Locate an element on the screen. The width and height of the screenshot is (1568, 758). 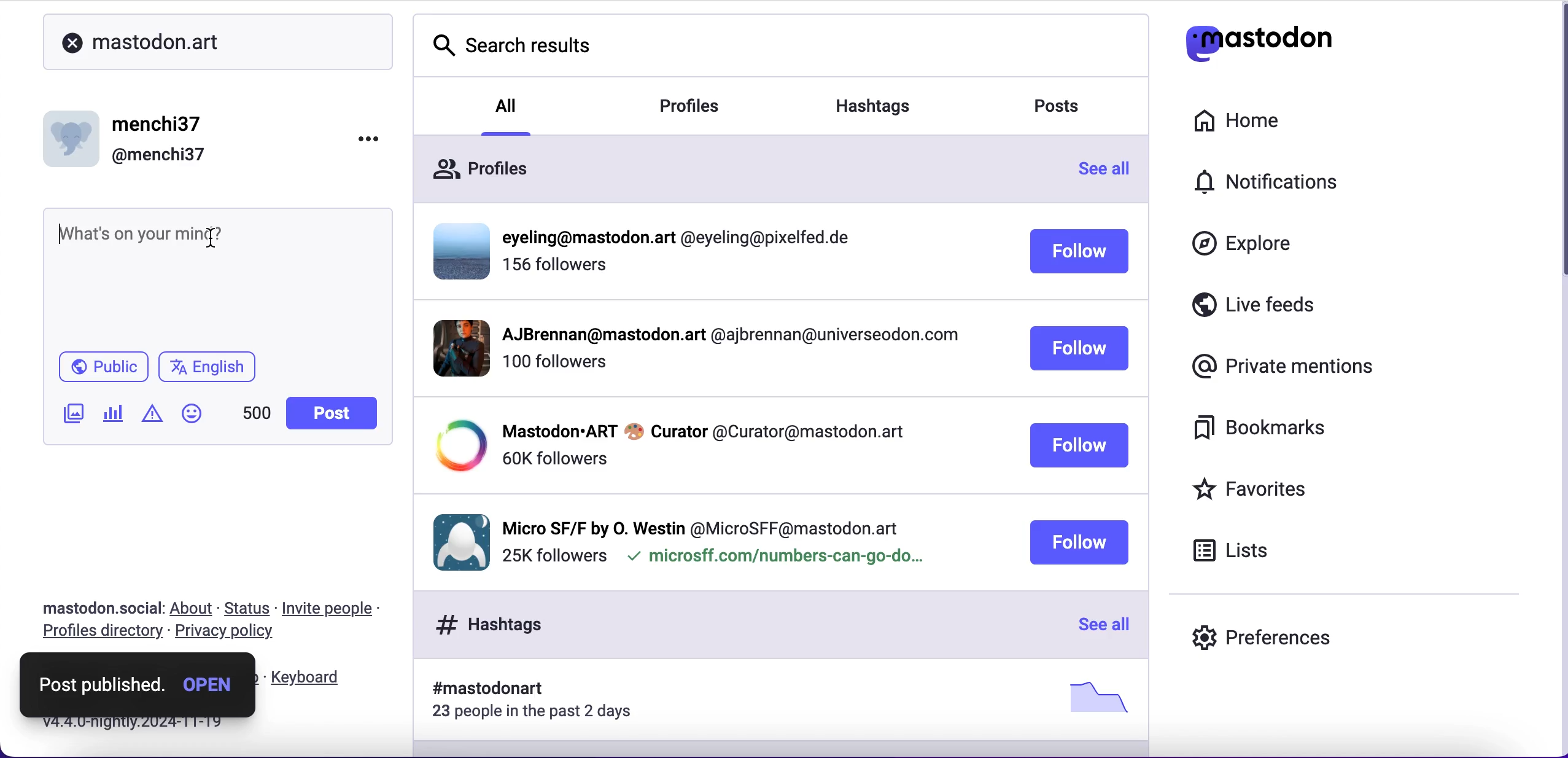
explore is located at coordinates (1246, 249).